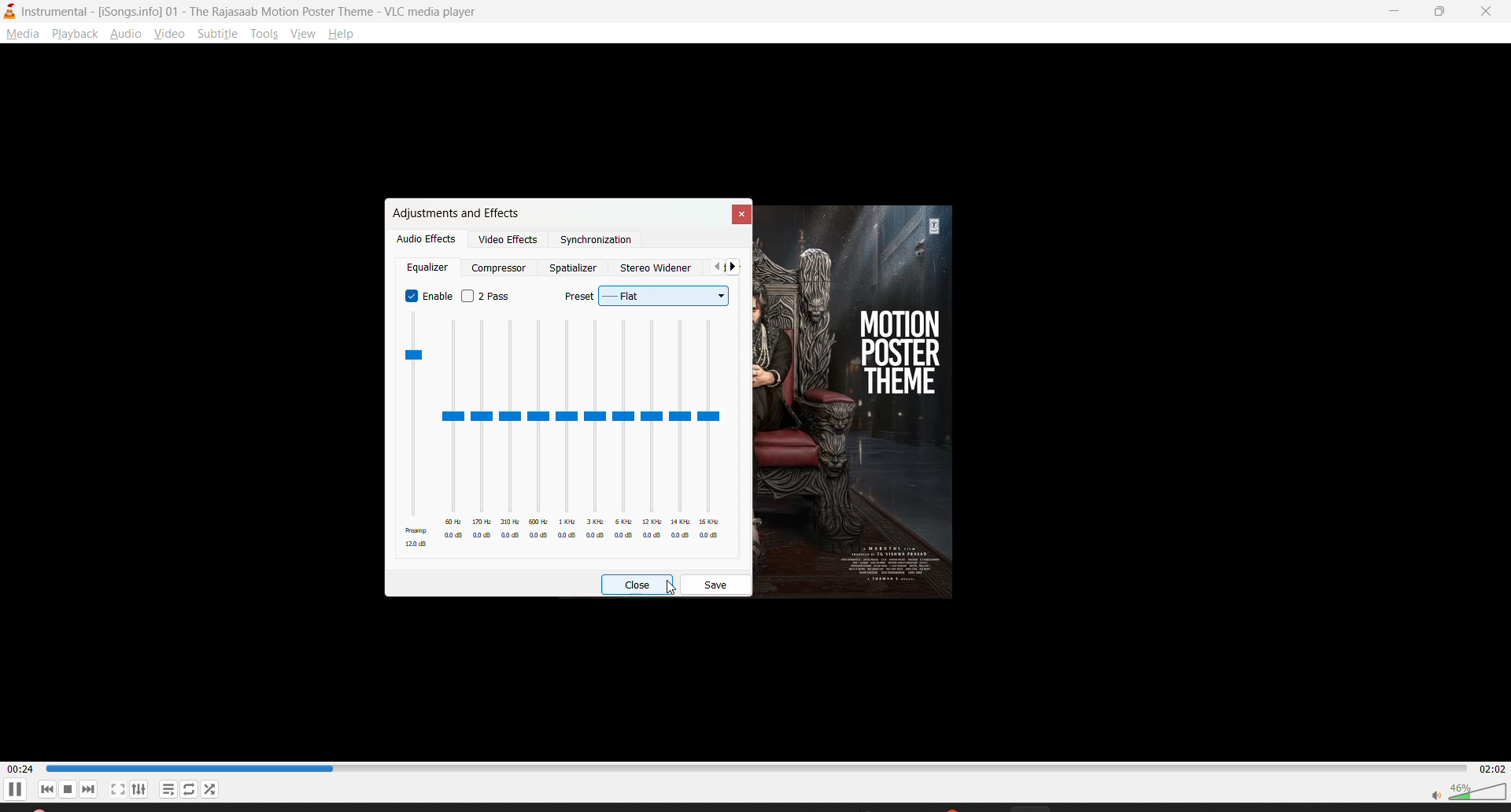 The width and height of the screenshot is (1511, 812). Describe the element at coordinates (345, 34) in the screenshot. I see `help` at that location.